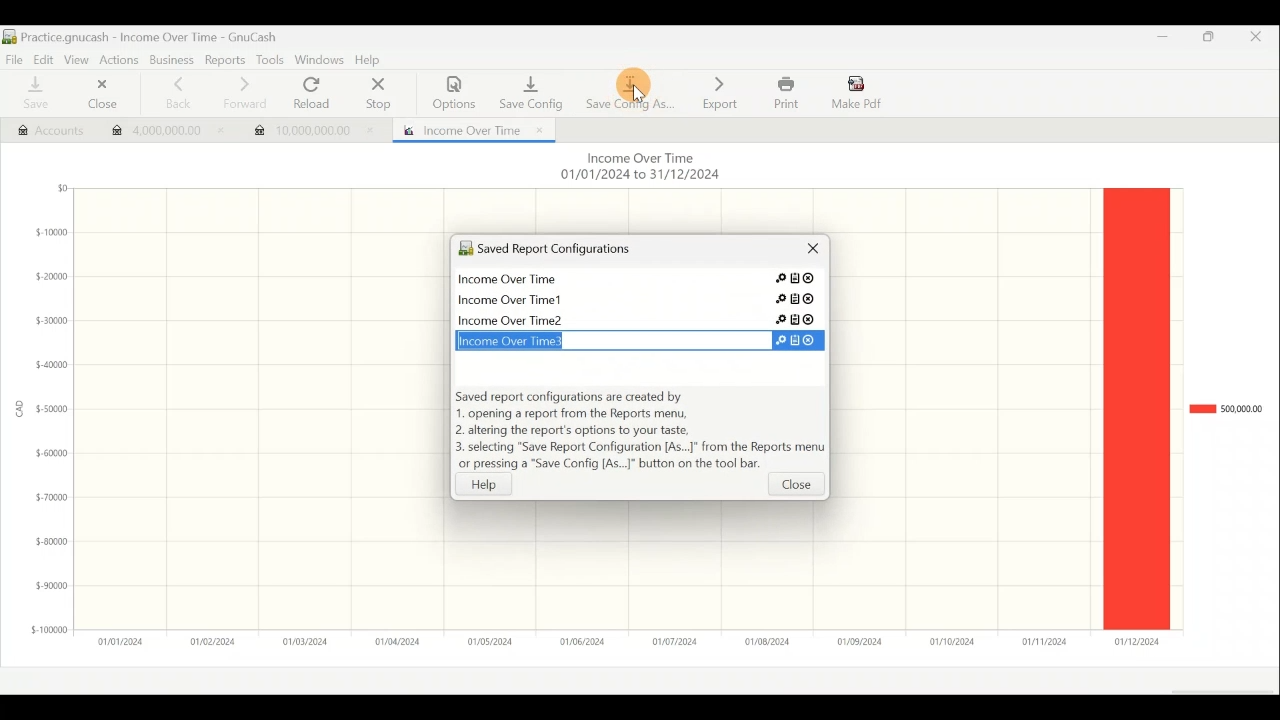 The height and width of the screenshot is (720, 1280). Describe the element at coordinates (1156, 42) in the screenshot. I see `Minimize` at that location.